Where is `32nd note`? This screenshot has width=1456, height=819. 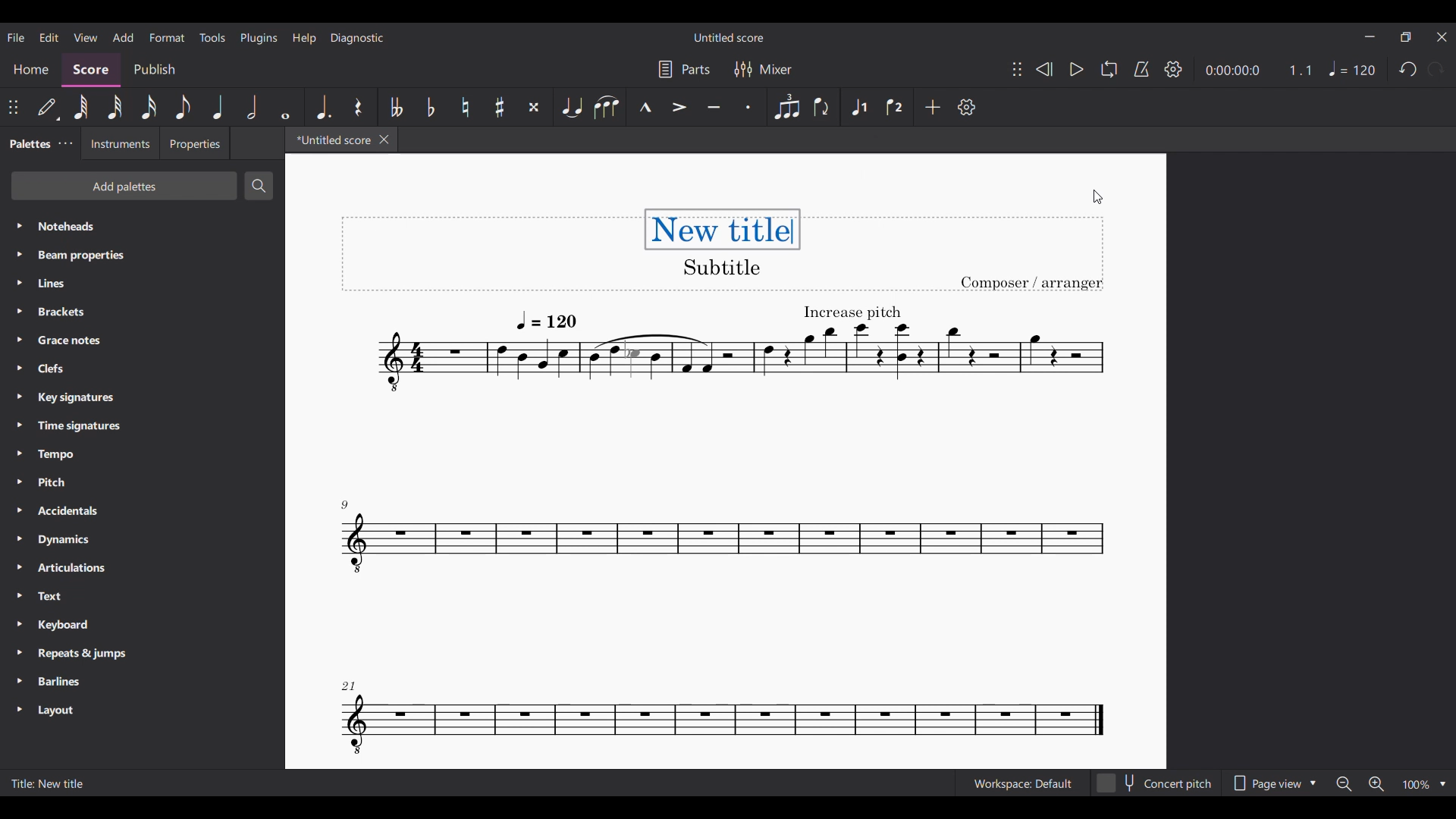
32nd note is located at coordinates (115, 107).